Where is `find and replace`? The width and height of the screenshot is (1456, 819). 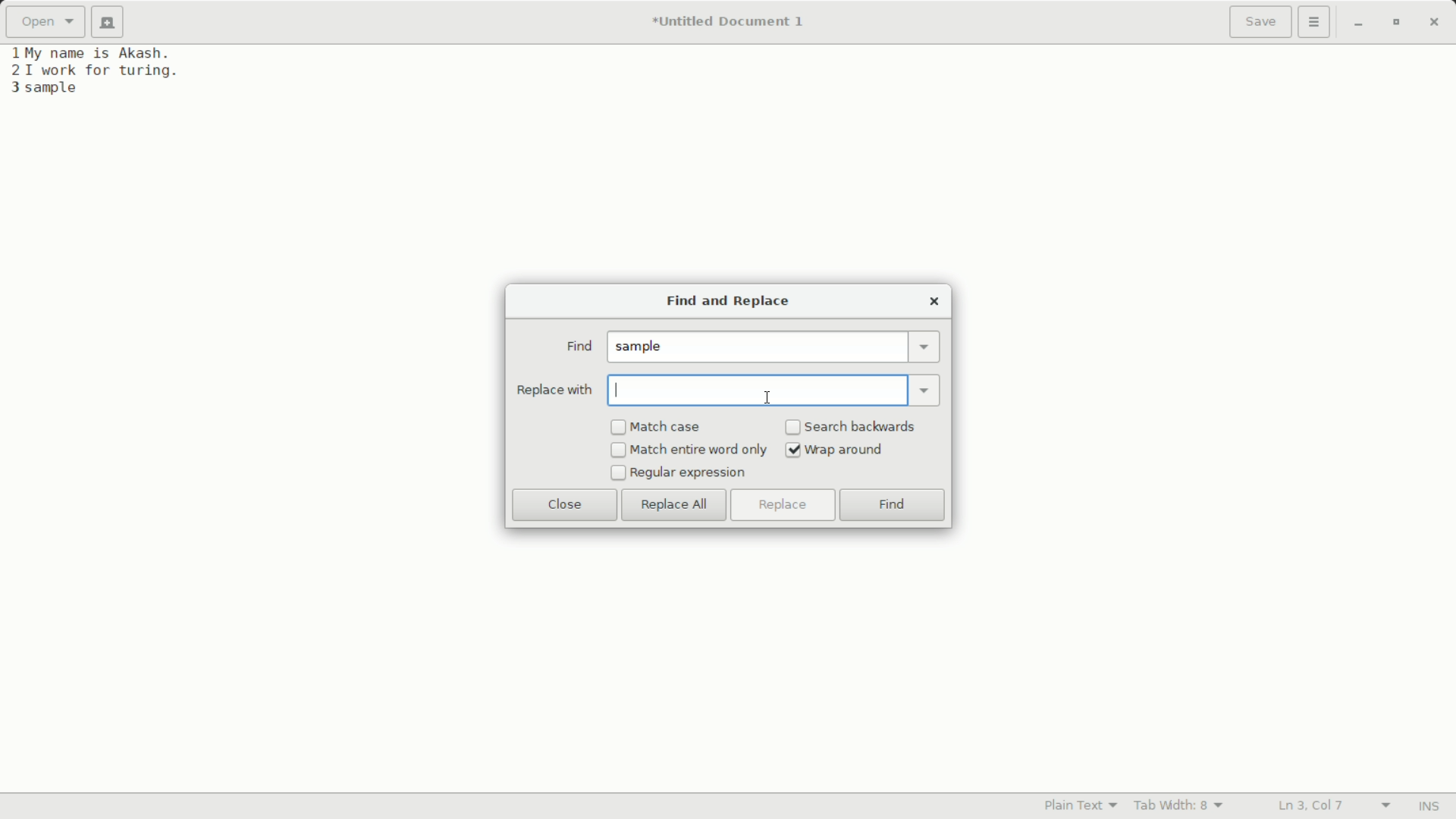
find and replace is located at coordinates (725, 303).